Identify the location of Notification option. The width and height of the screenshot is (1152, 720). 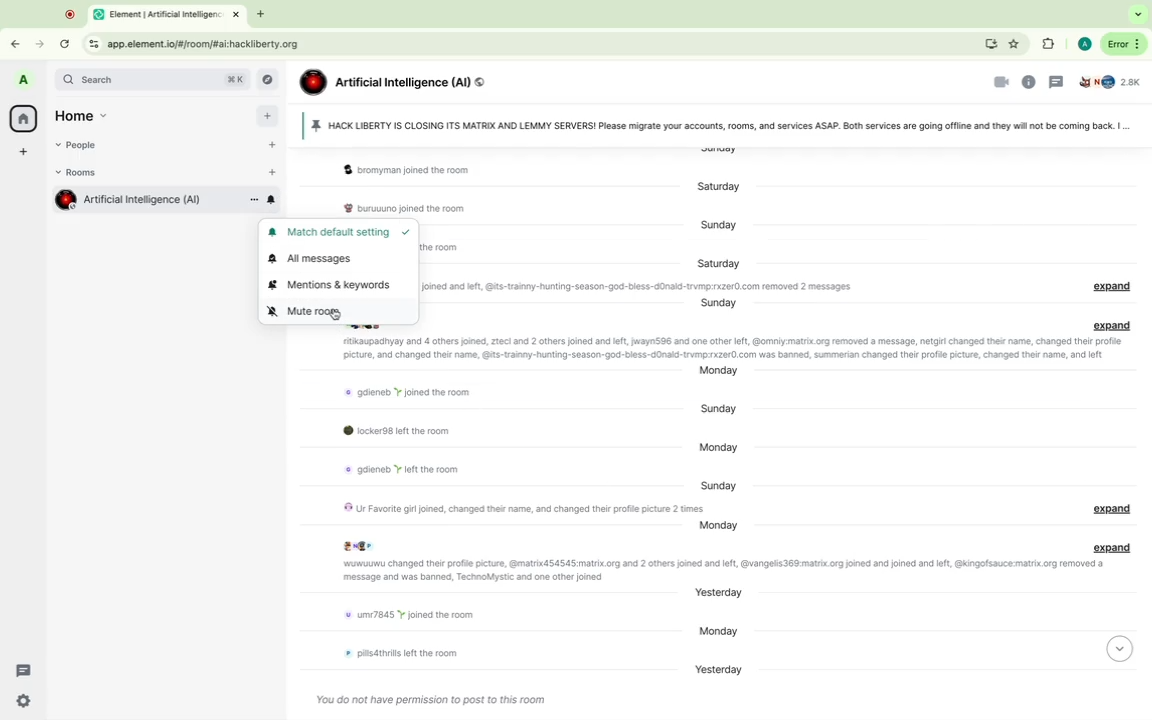
(271, 200).